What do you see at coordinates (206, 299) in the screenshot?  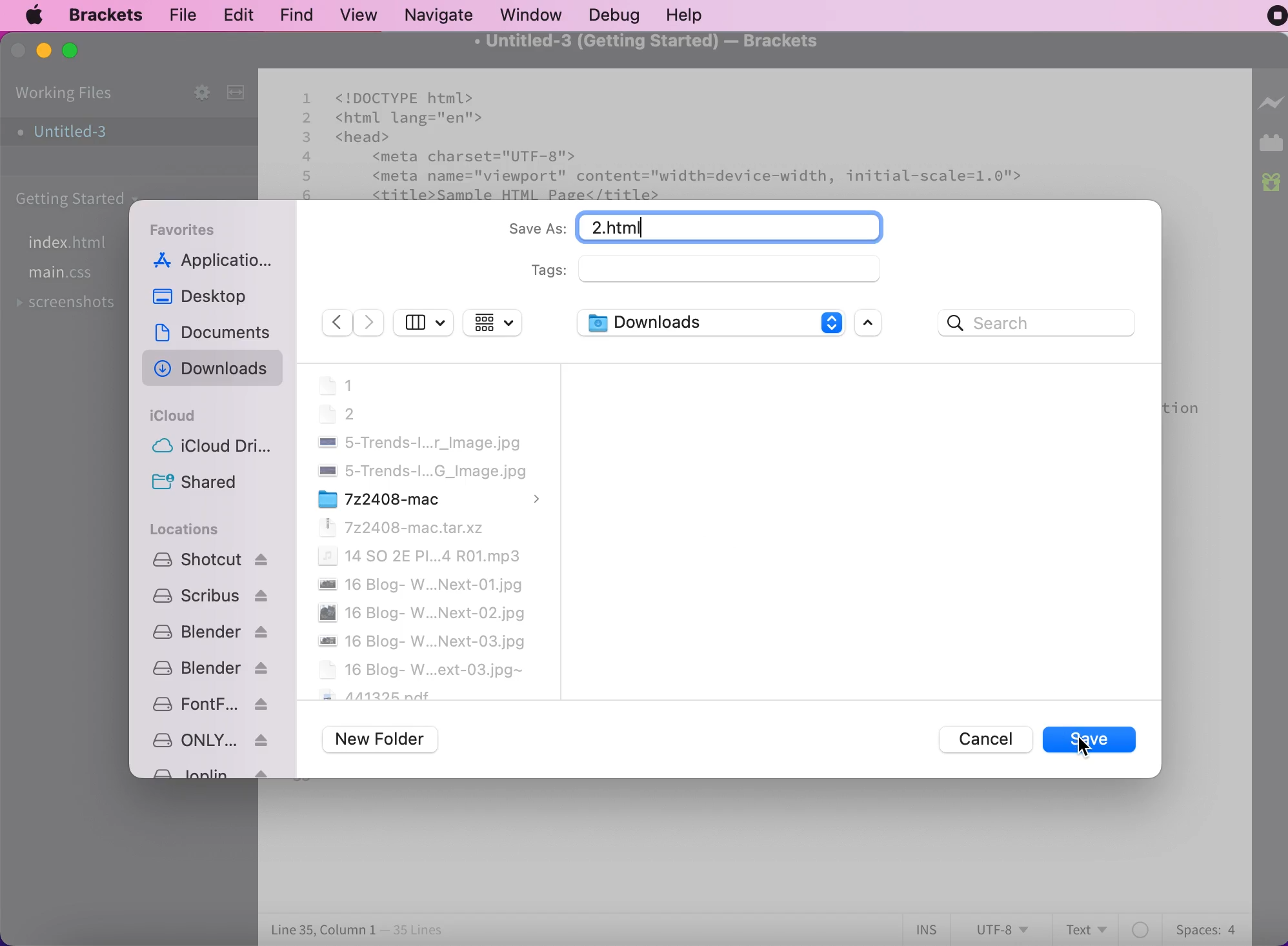 I see `desktop` at bounding box center [206, 299].